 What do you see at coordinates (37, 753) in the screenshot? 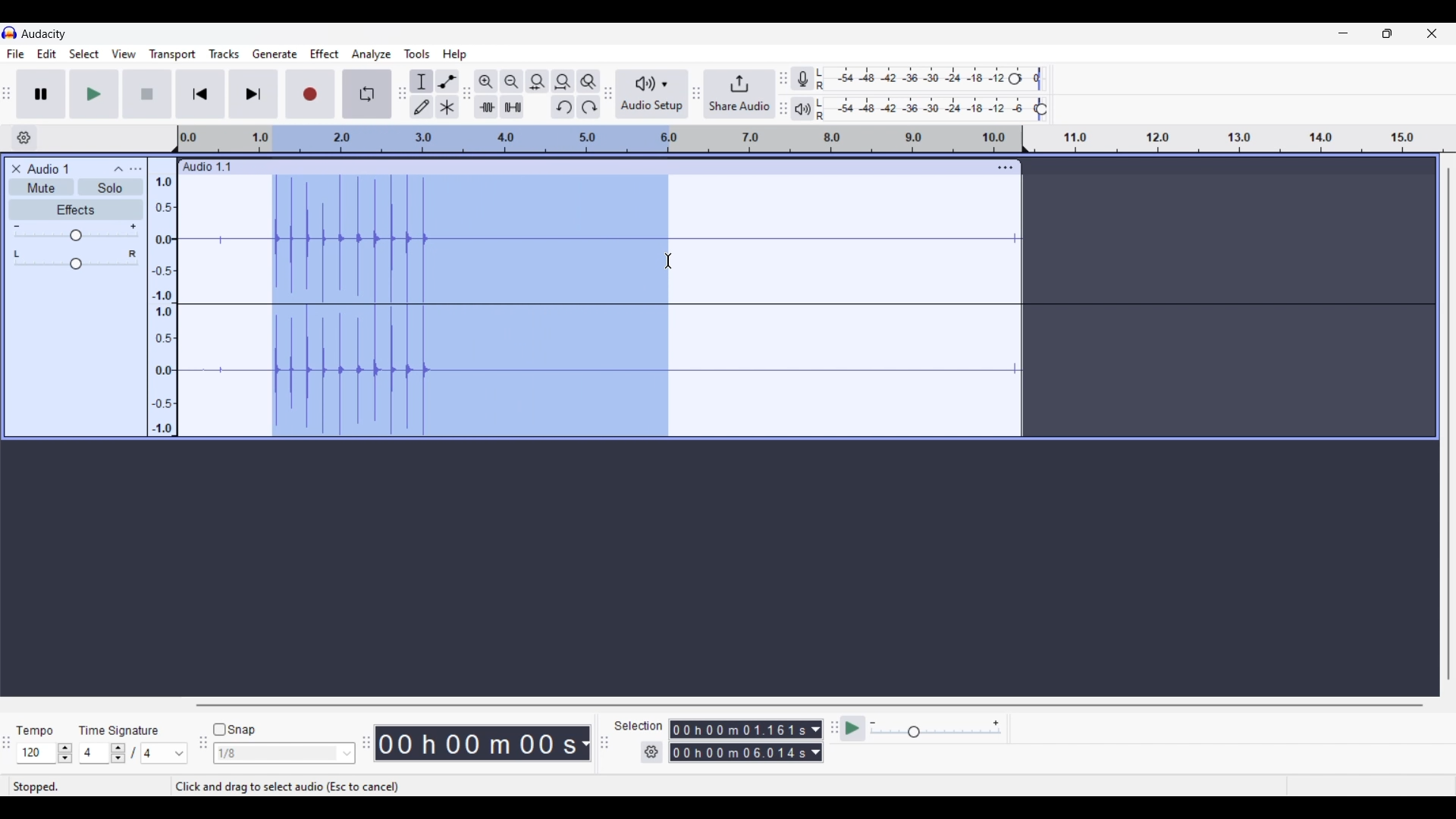
I see `Type in tempo` at bounding box center [37, 753].